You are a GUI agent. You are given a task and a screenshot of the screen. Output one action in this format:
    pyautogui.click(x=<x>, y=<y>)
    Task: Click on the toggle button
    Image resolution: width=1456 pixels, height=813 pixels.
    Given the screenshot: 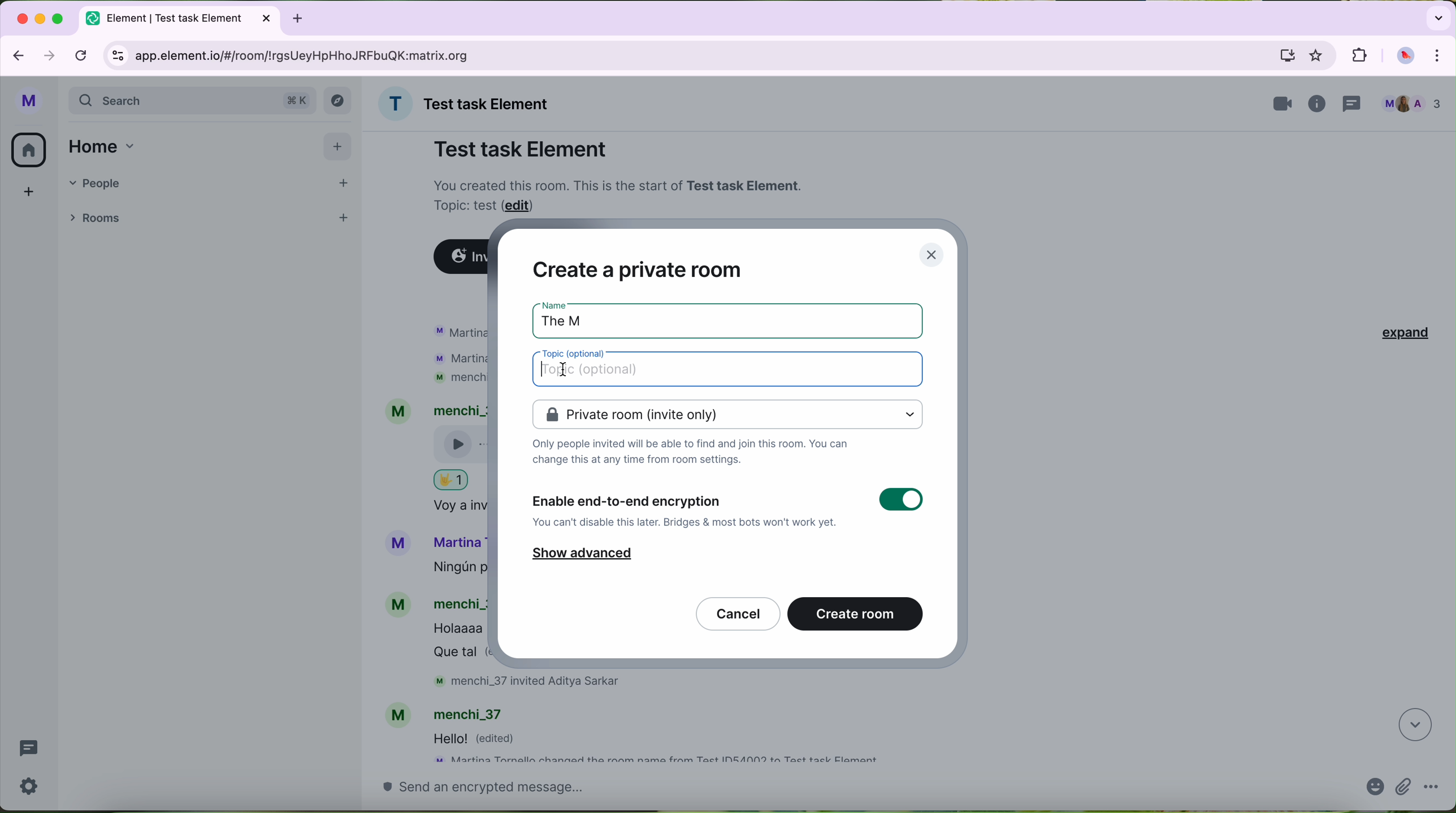 What is the action you would take?
    pyautogui.click(x=900, y=501)
    